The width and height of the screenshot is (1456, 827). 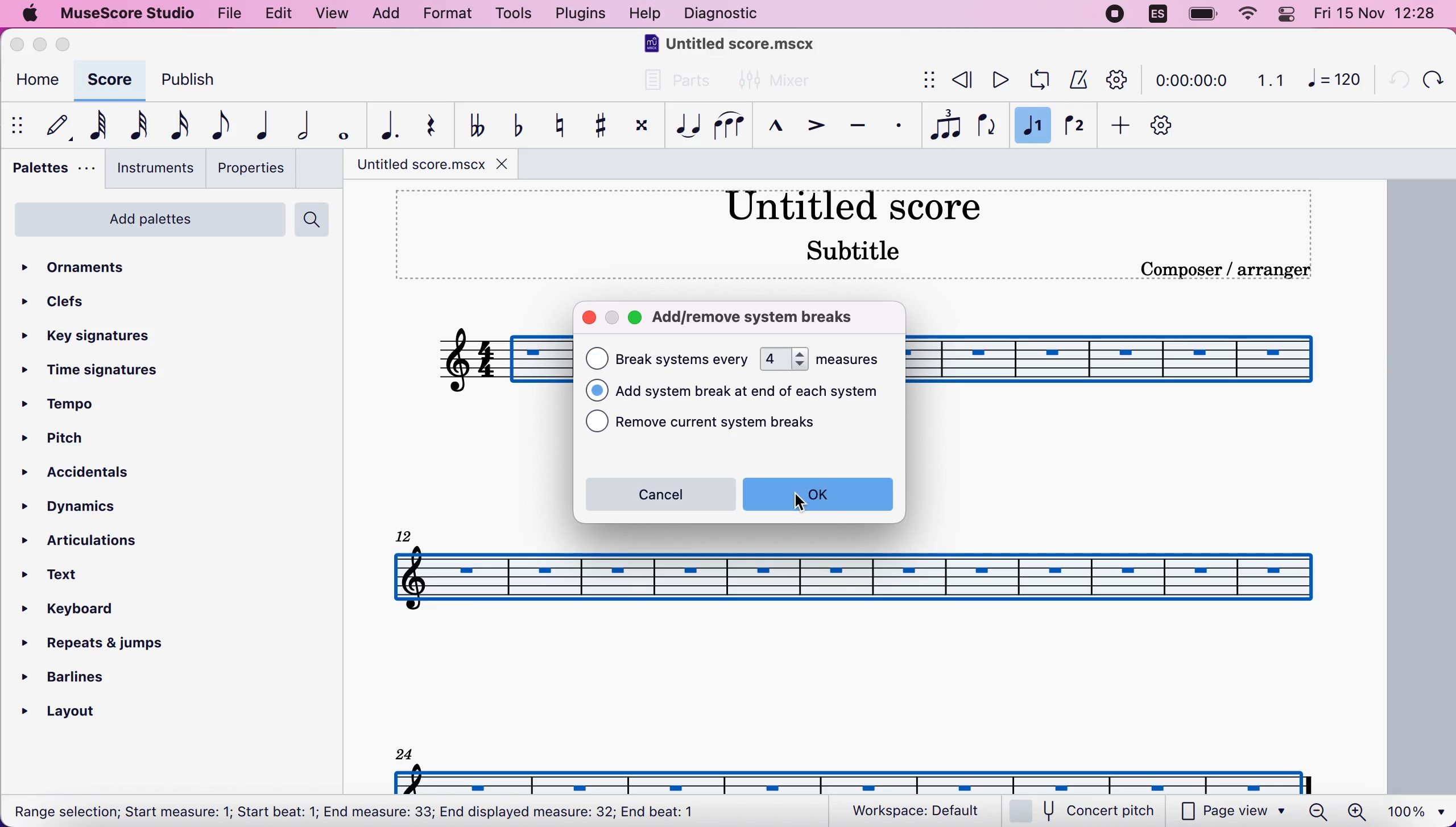 I want to click on 100%, so click(x=1413, y=810).